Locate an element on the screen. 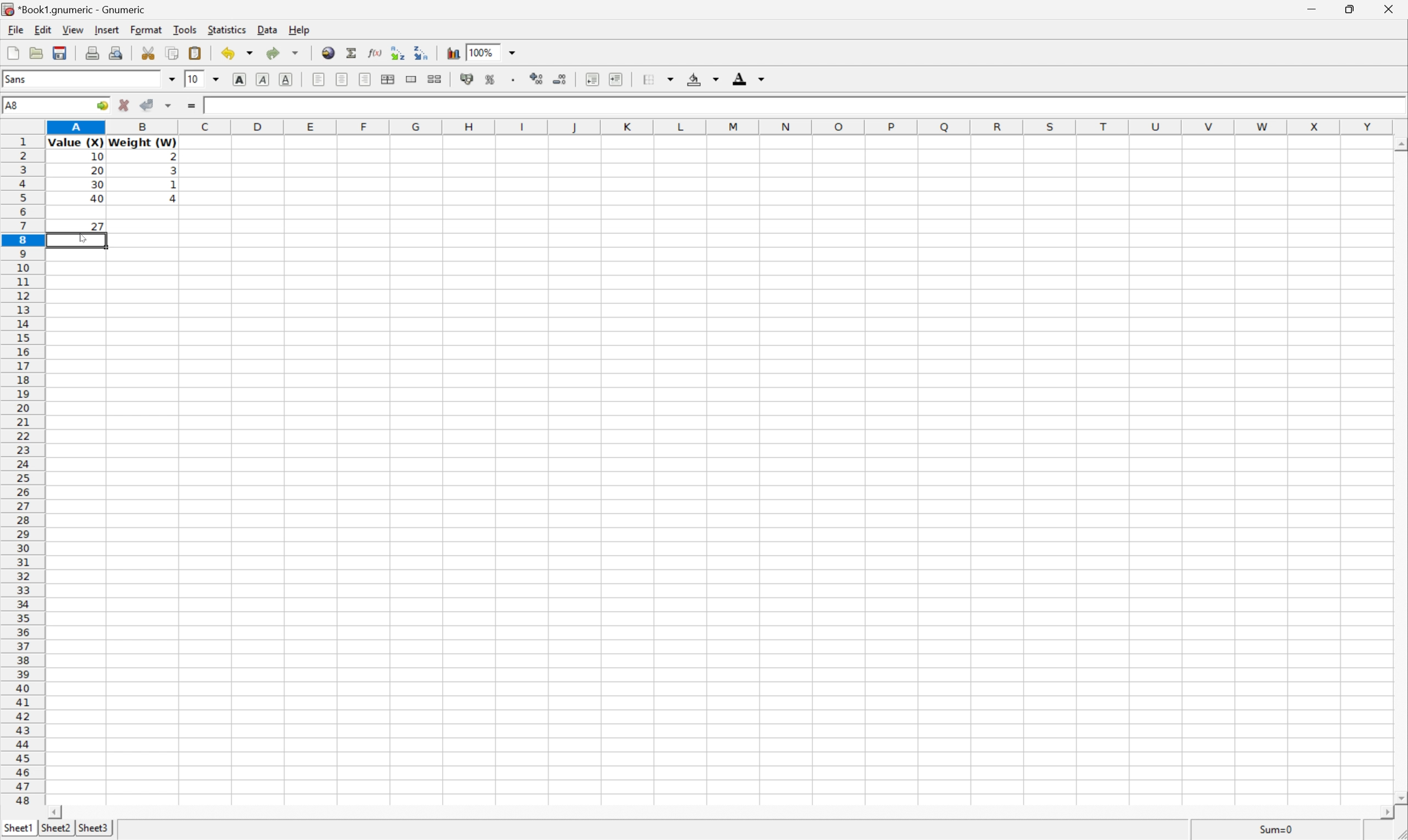 The image size is (1408, 840). Drop Down is located at coordinates (514, 53).